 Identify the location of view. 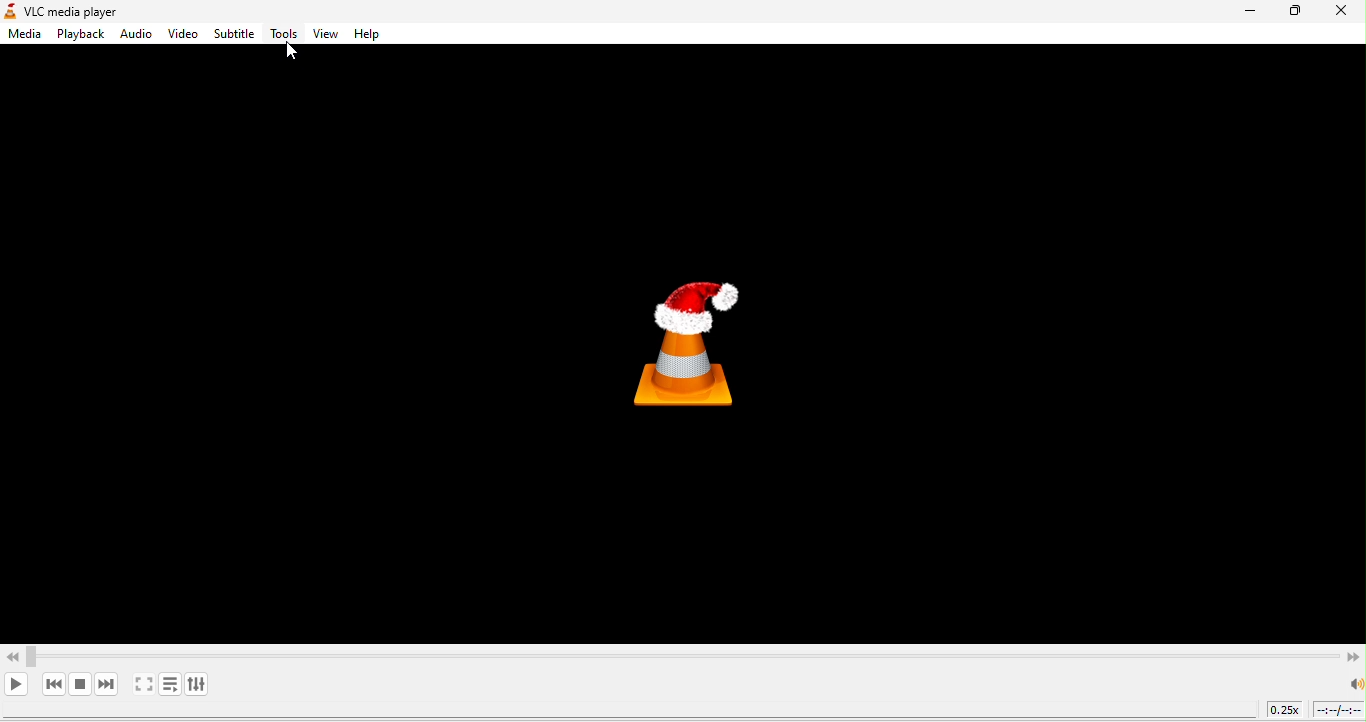
(323, 36).